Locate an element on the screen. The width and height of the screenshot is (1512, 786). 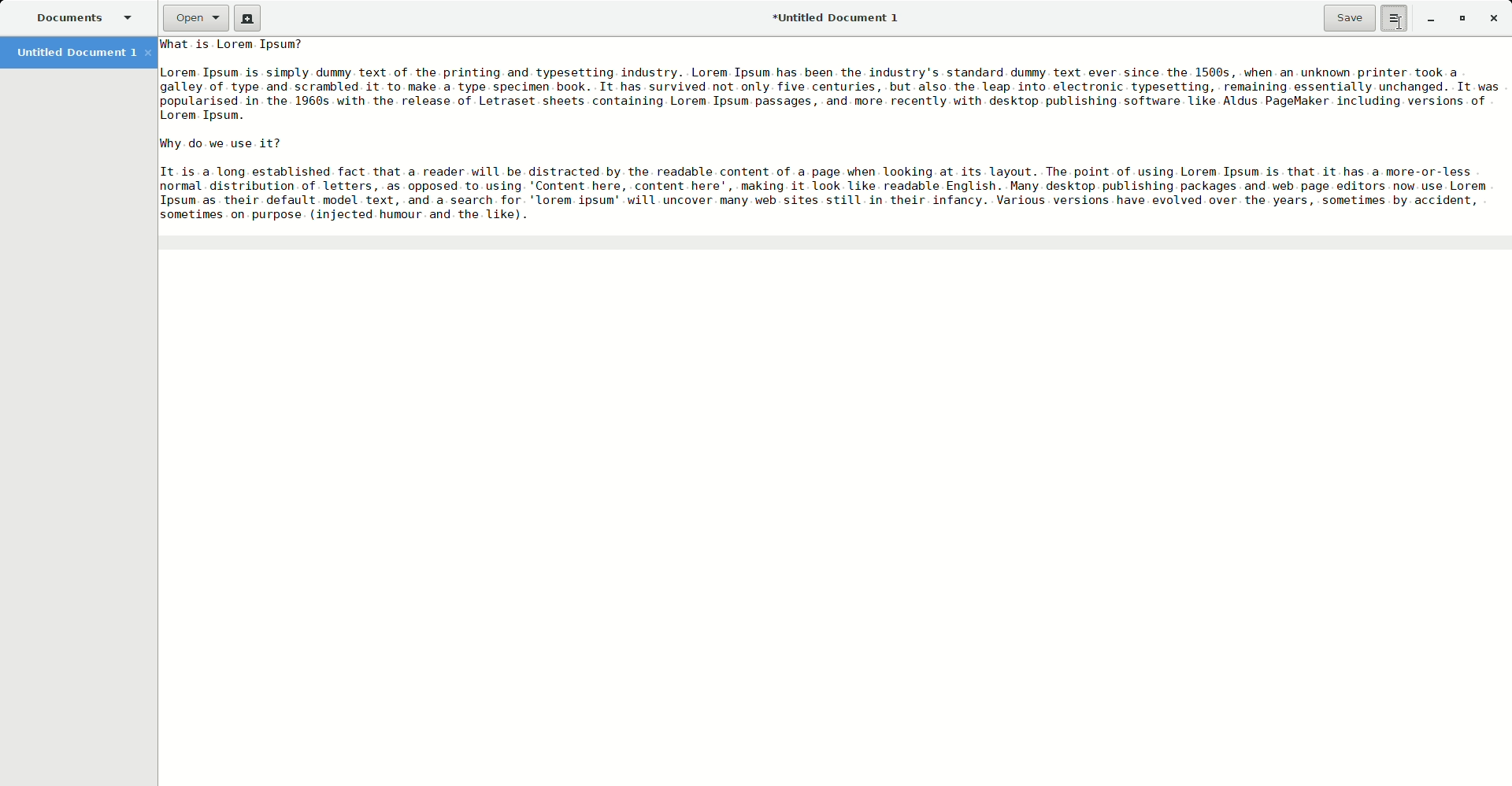
Untitled Document 1 is located at coordinates (838, 19).